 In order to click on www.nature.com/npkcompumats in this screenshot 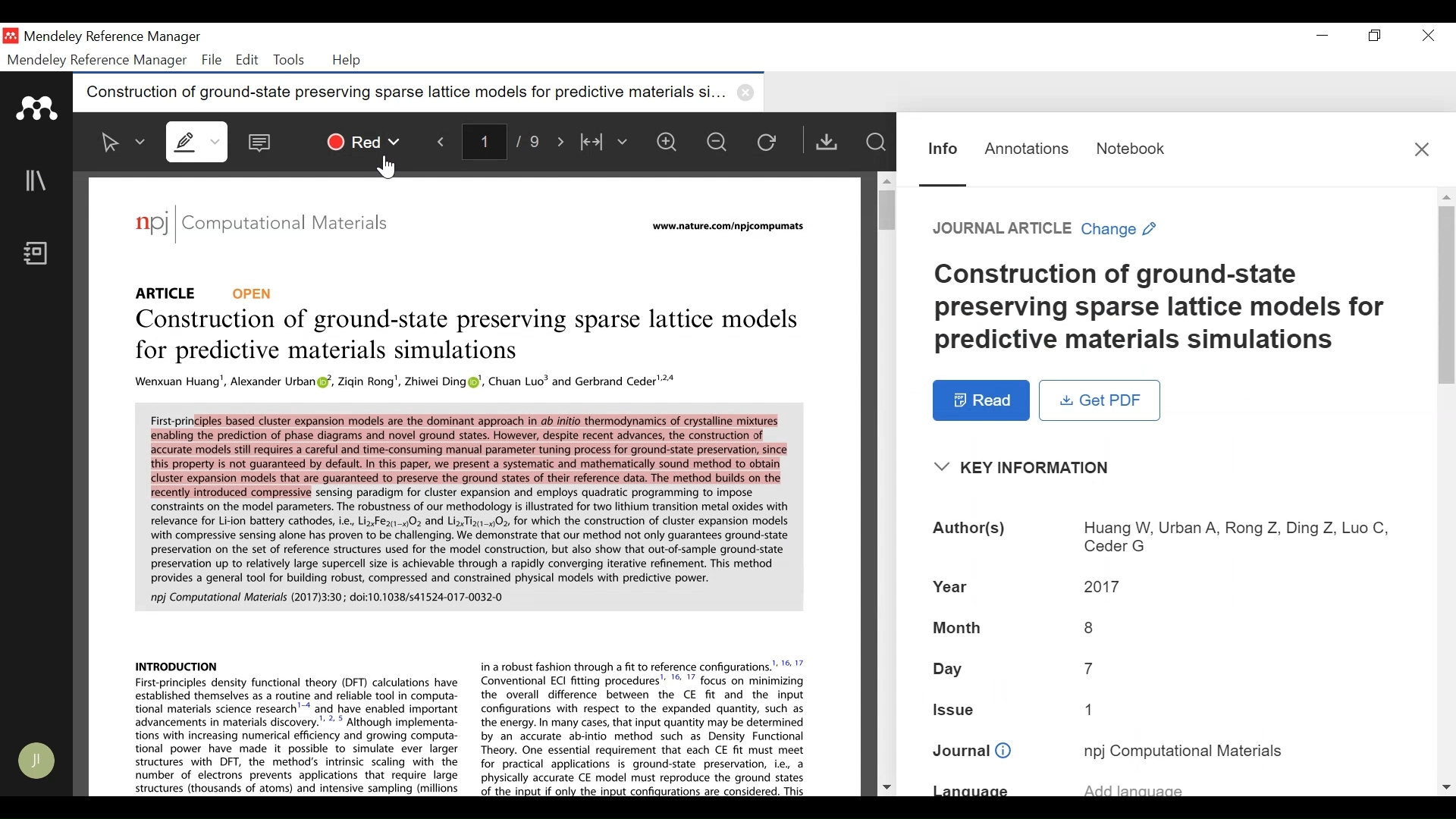, I will do `click(732, 228)`.